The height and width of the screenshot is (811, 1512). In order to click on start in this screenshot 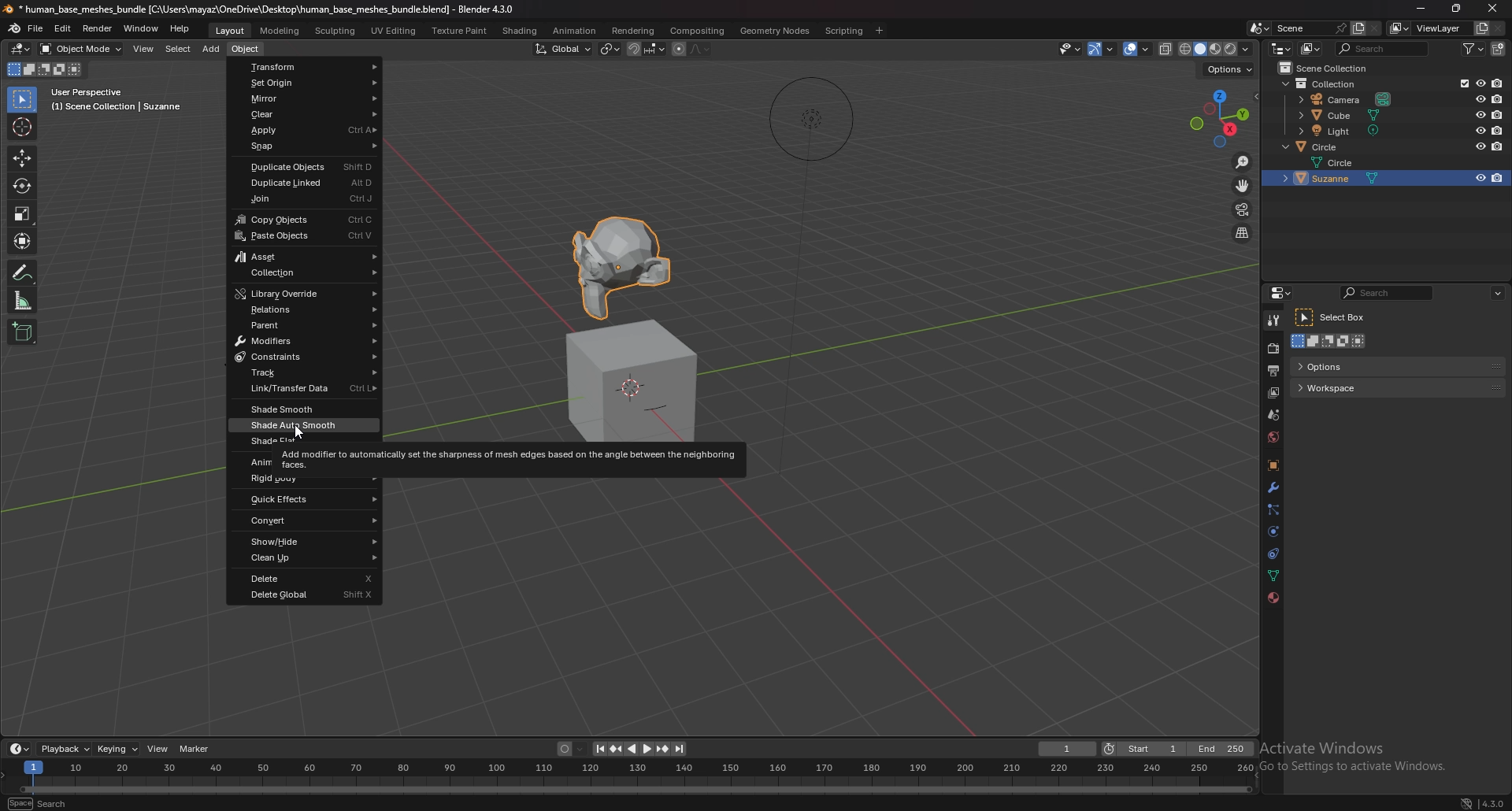, I will do `click(1144, 748)`.